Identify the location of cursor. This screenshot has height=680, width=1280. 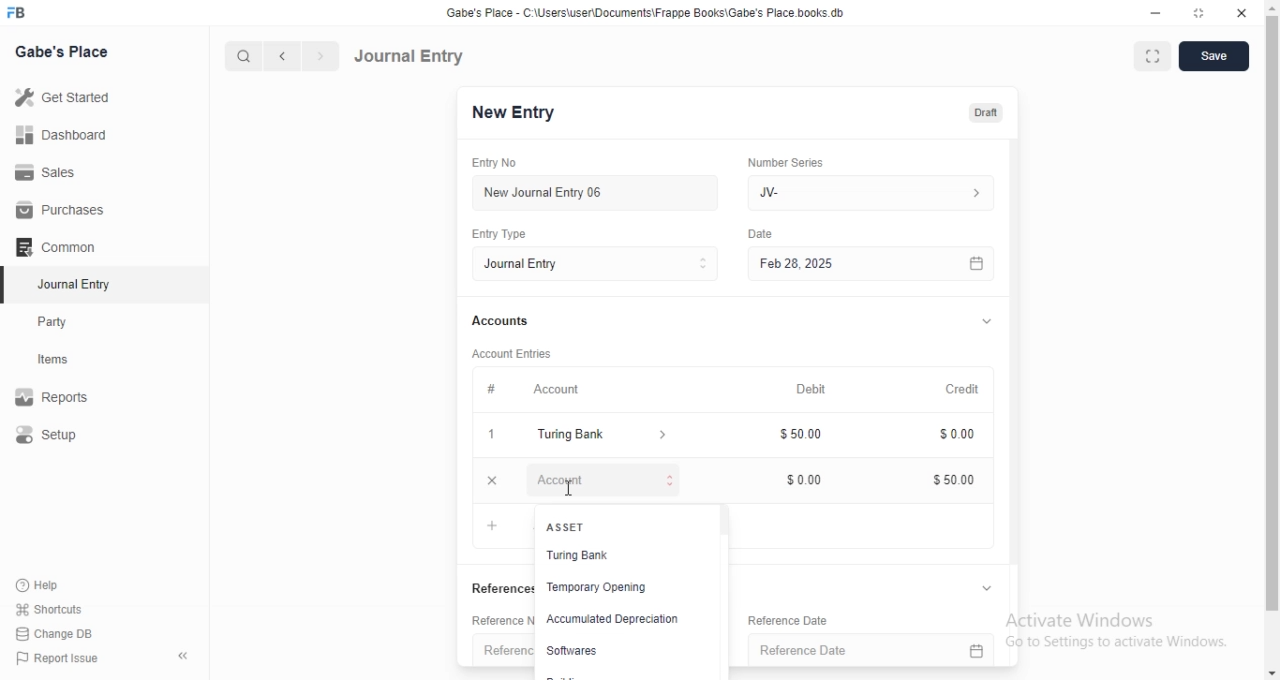
(568, 489).